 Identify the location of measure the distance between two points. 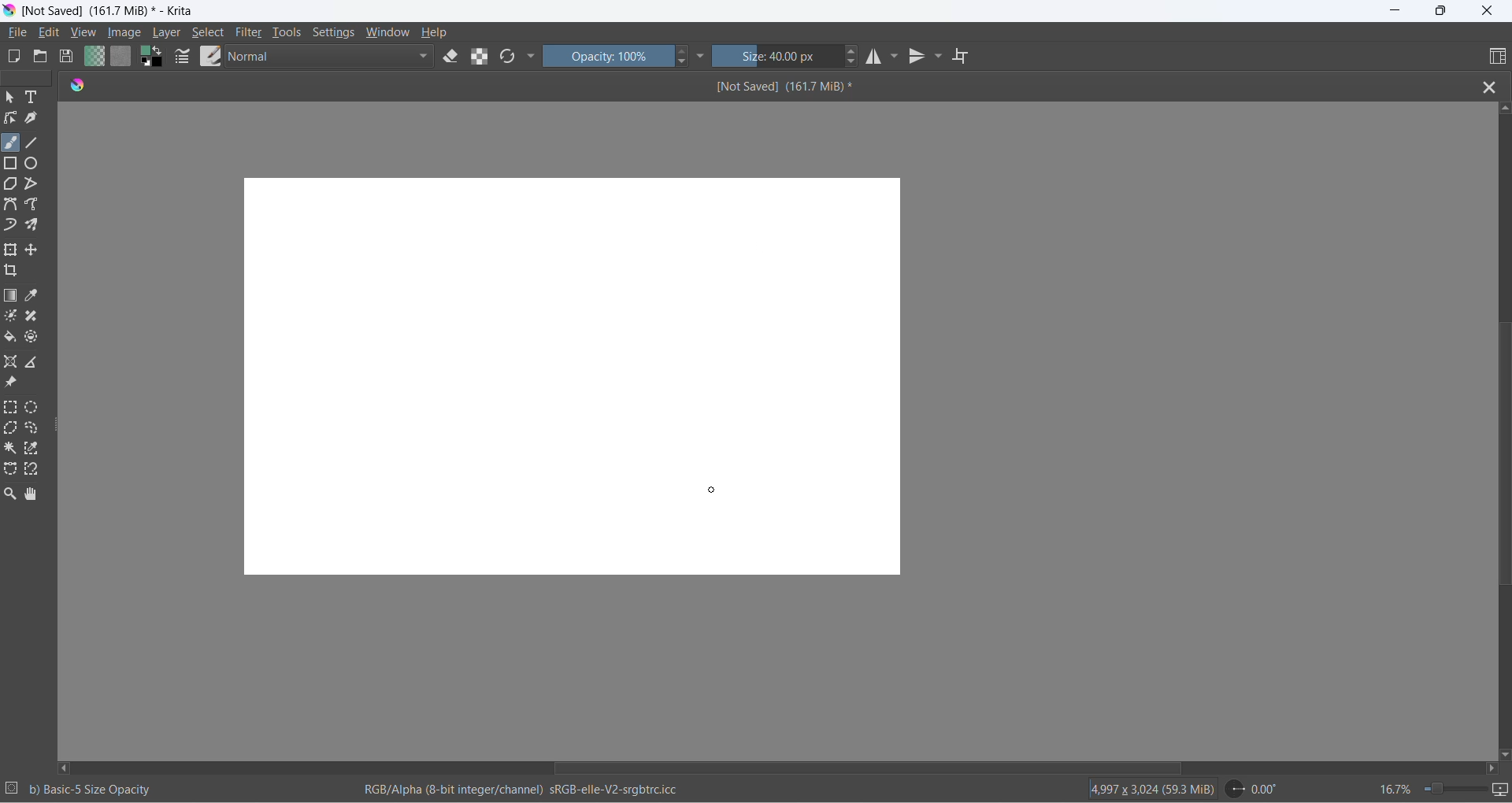
(36, 363).